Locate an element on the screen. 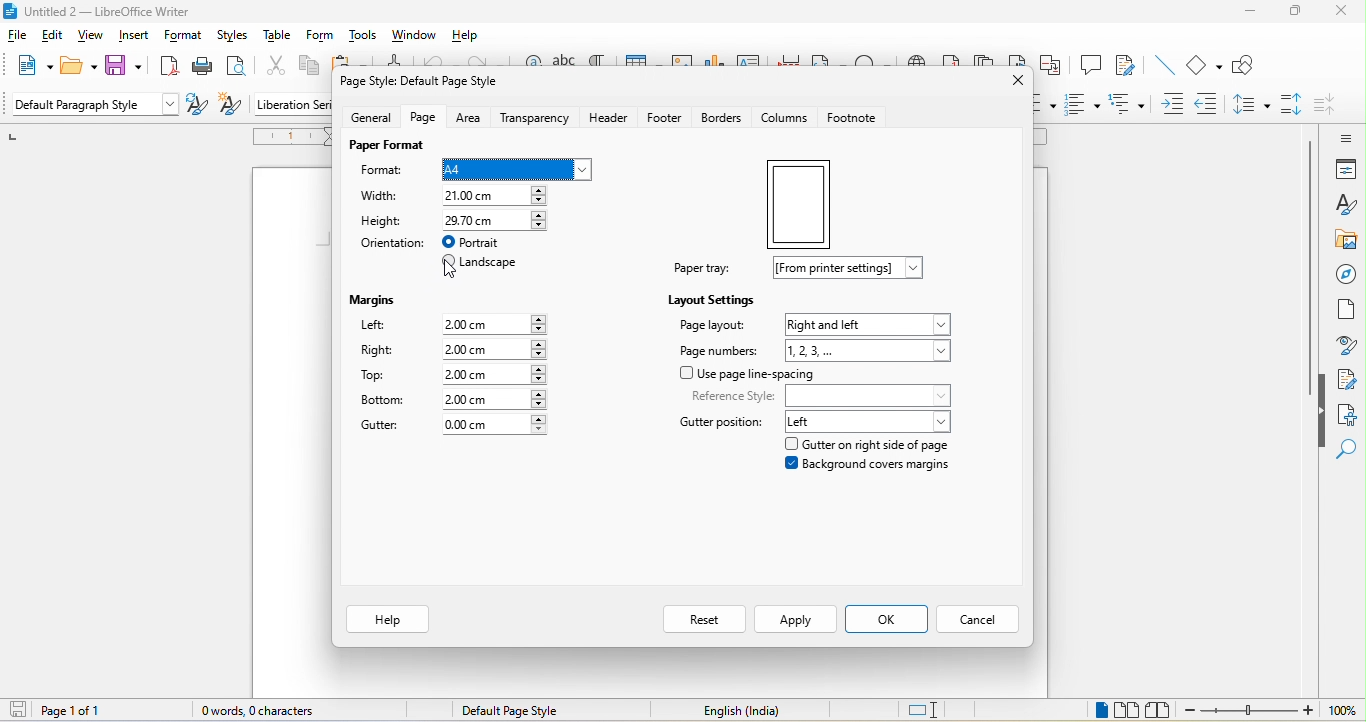 This screenshot has width=1366, height=722. footer is located at coordinates (667, 118).